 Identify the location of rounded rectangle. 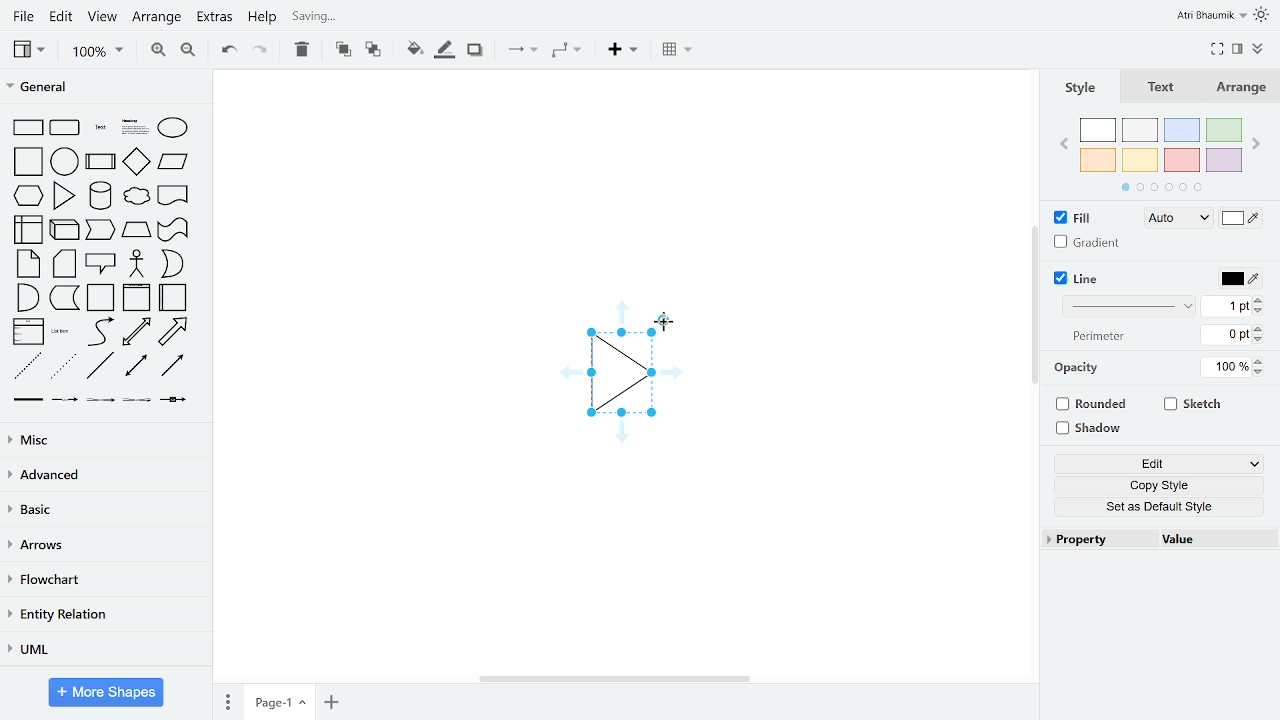
(66, 128).